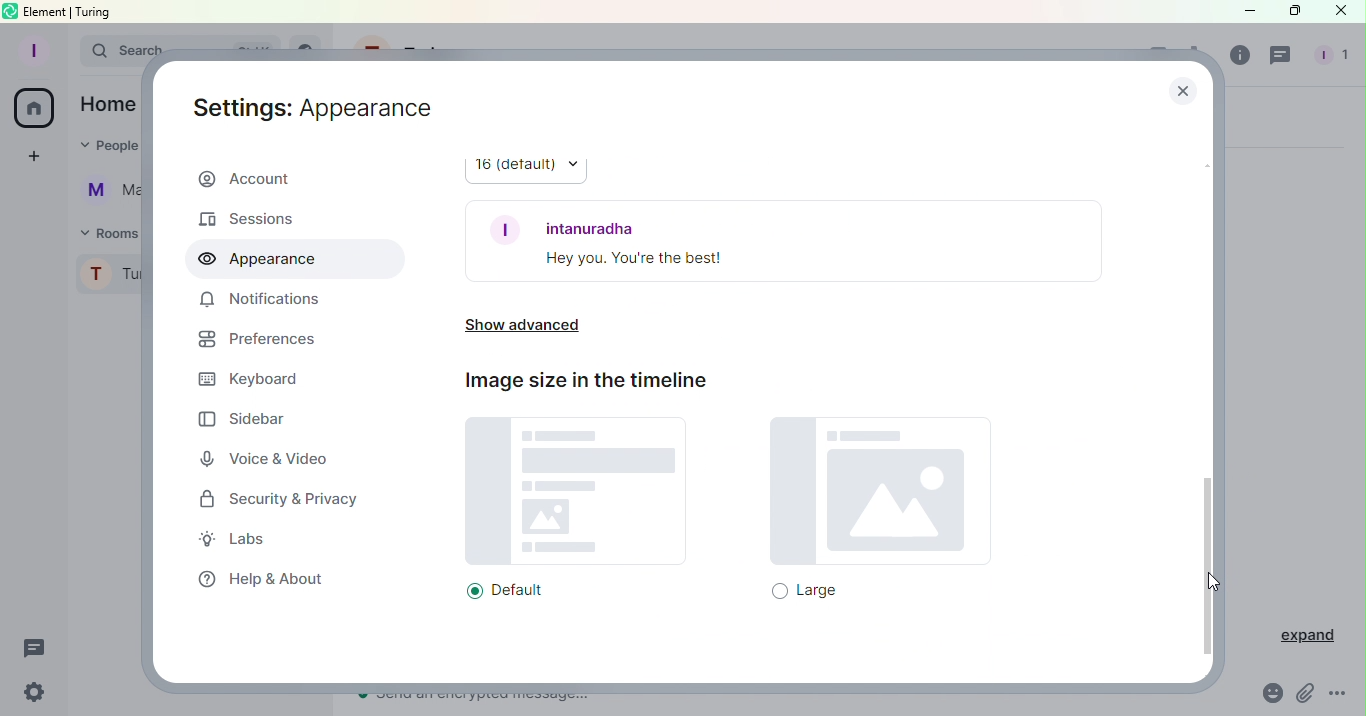  Describe the element at coordinates (260, 260) in the screenshot. I see `Appearance` at that location.